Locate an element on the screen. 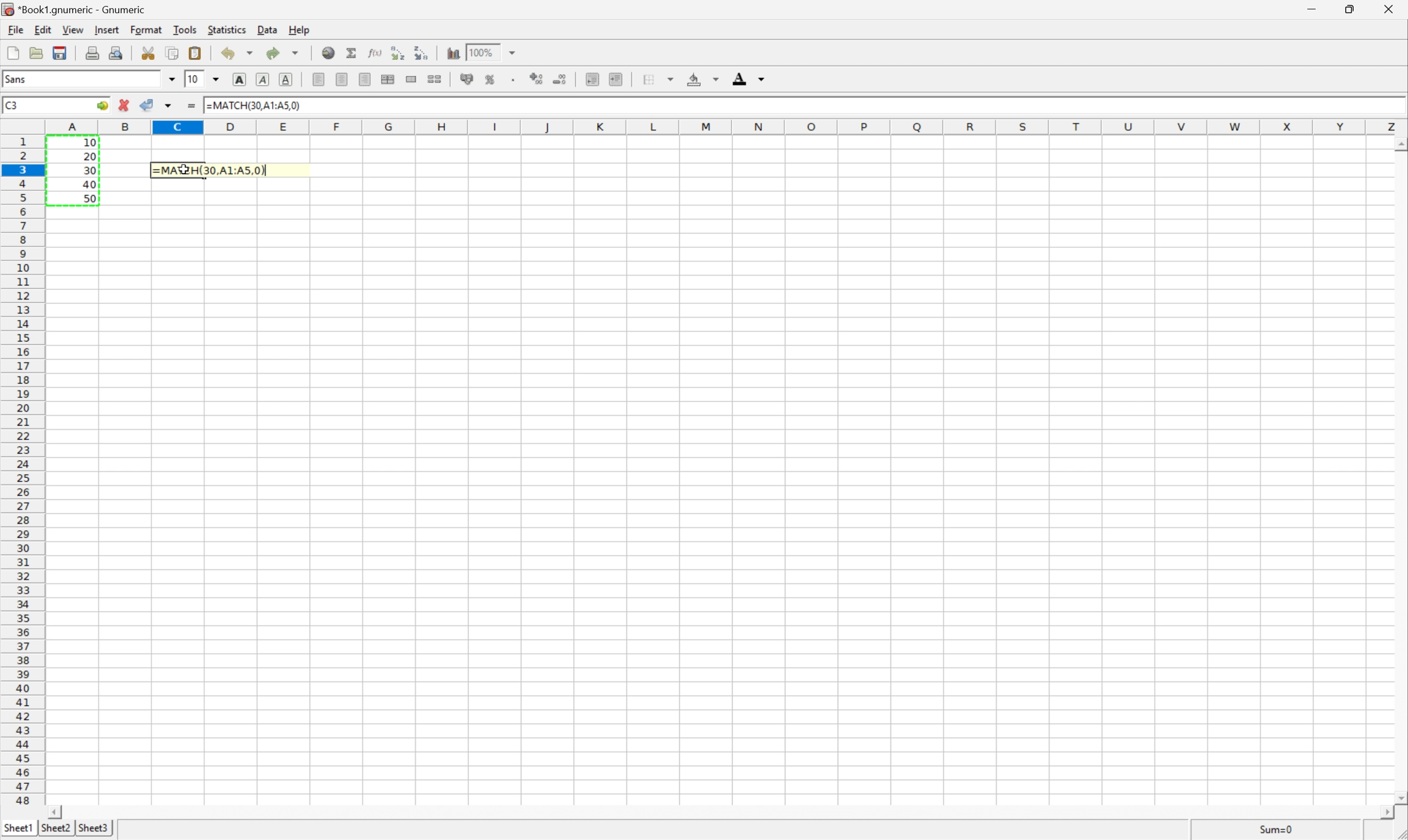 The height and width of the screenshot is (840, 1408). Restore Down is located at coordinates (1346, 9).